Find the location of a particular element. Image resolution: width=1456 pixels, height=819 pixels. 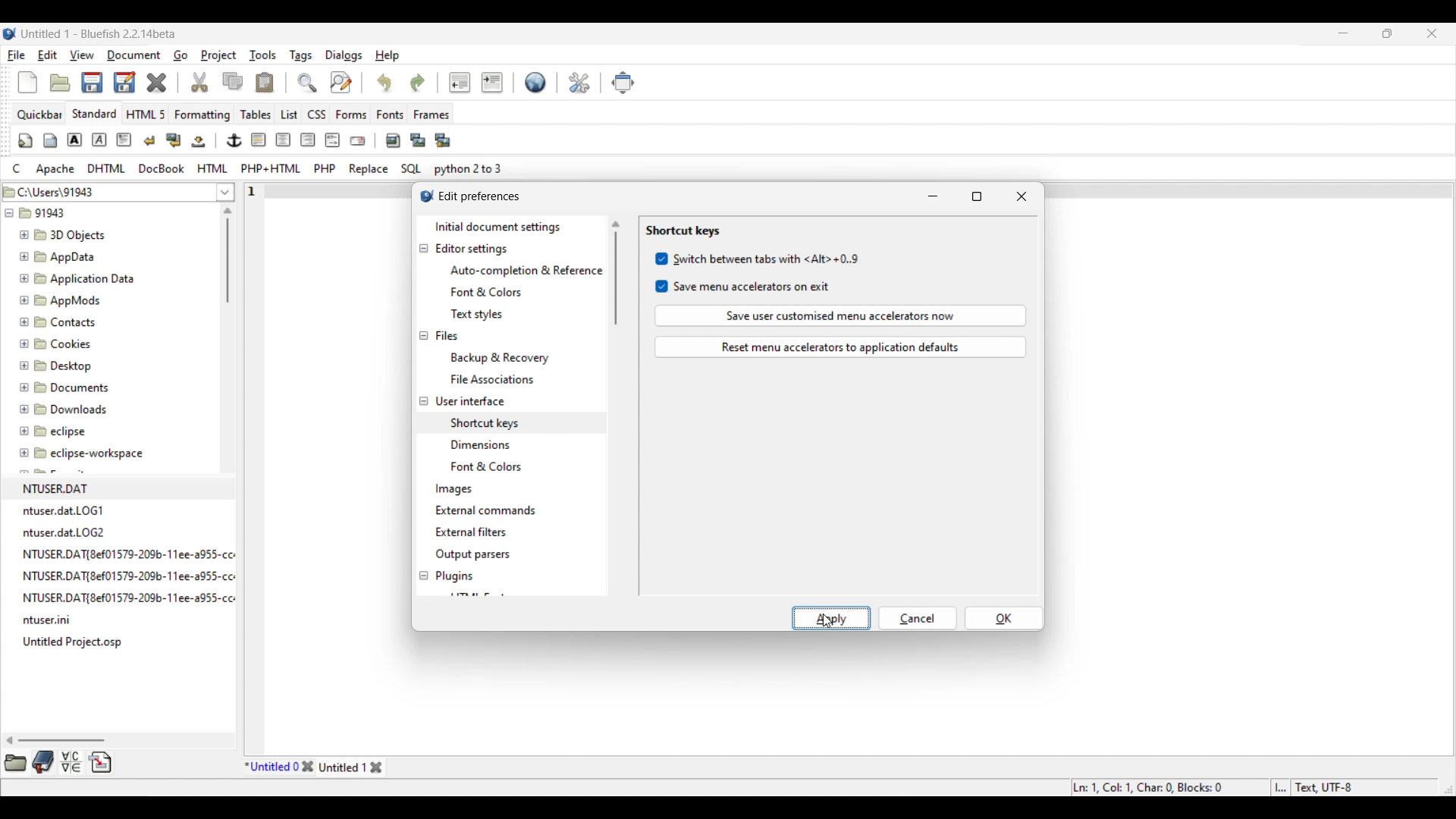

Search and replace is located at coordinates (324, 82).